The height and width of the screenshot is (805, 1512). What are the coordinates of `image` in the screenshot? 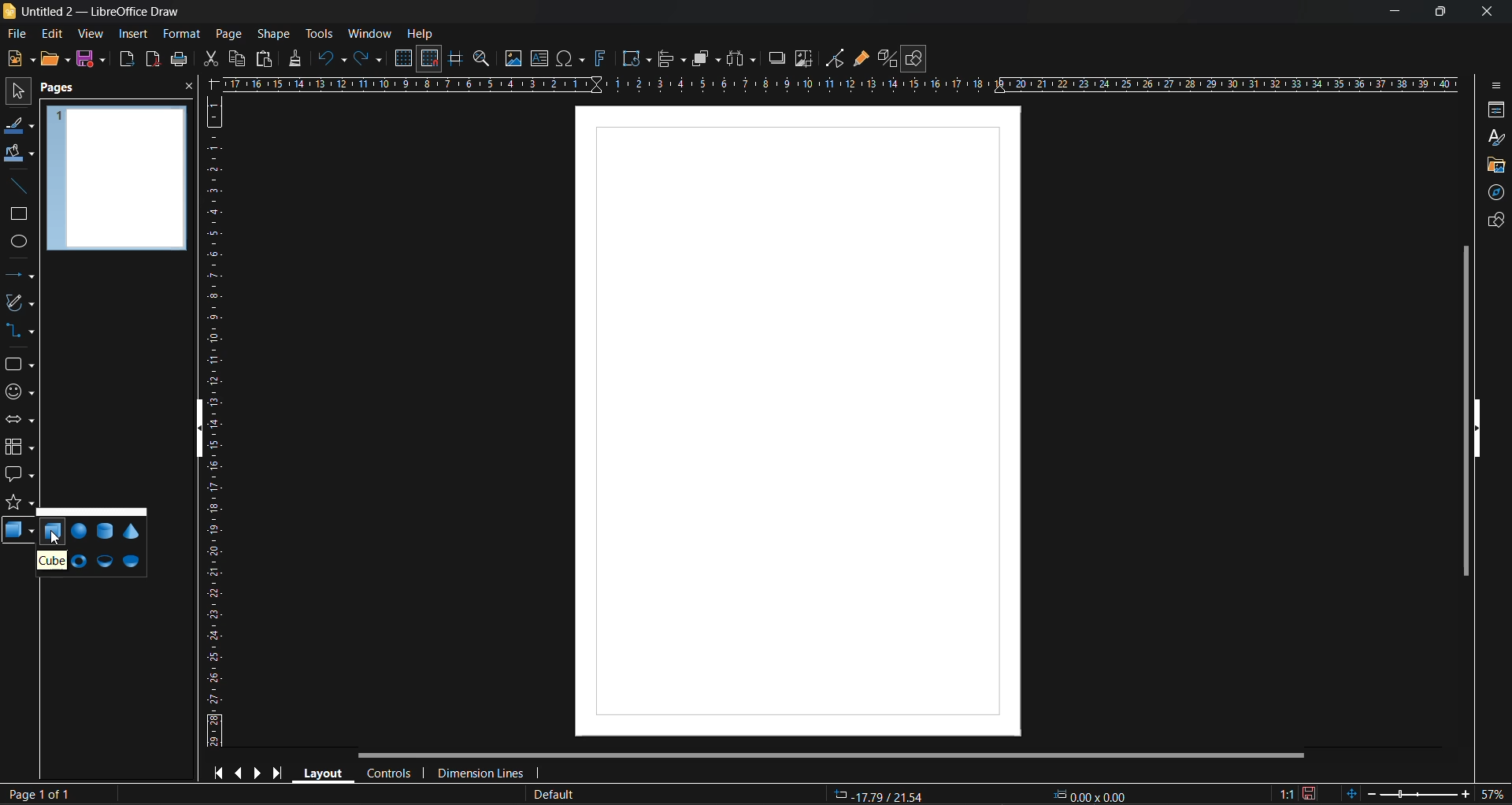 It's located at (513, 60).